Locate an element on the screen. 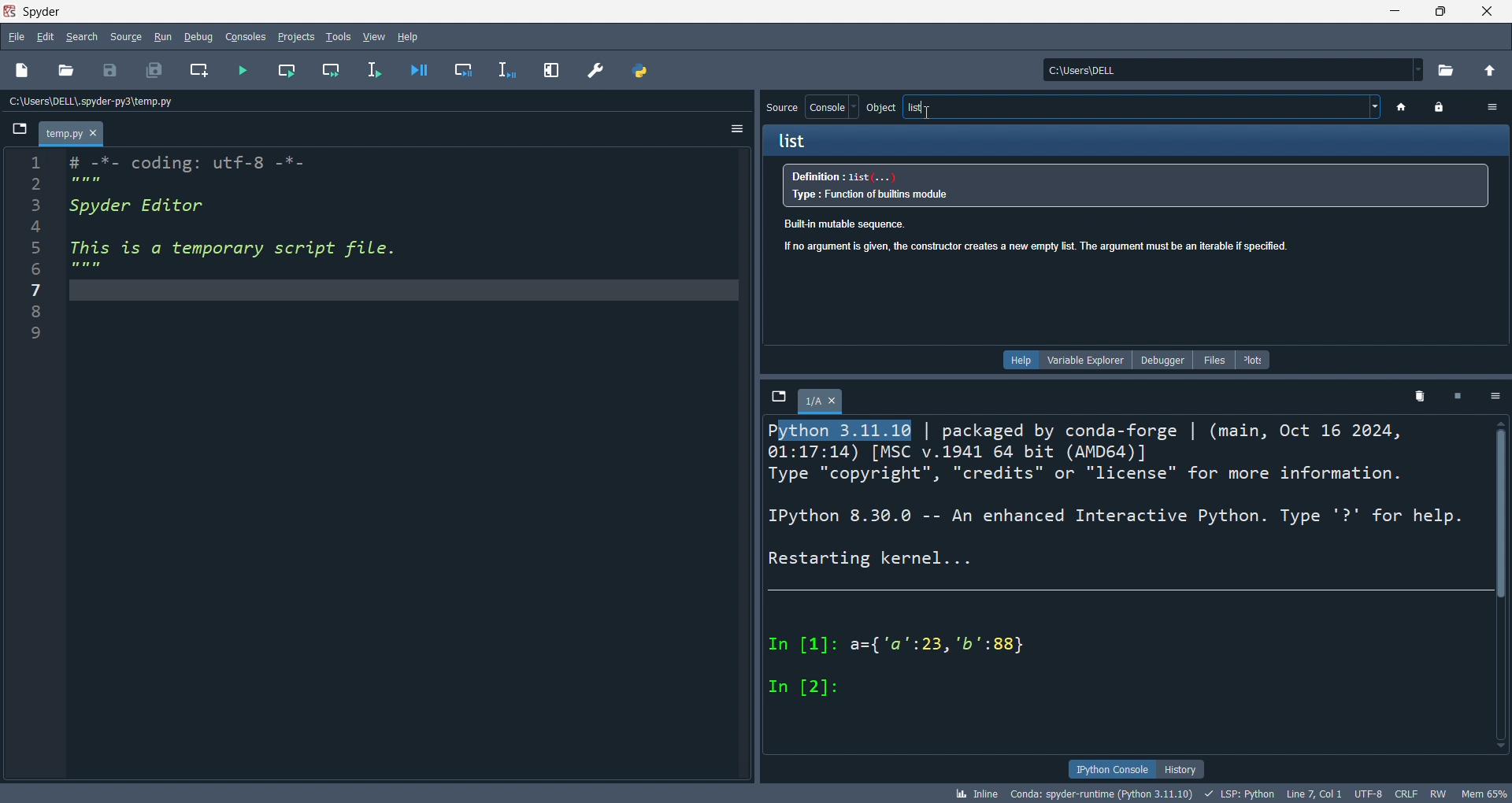 The image size is (1512, 803). preferences is located at coordinates (594, 72).